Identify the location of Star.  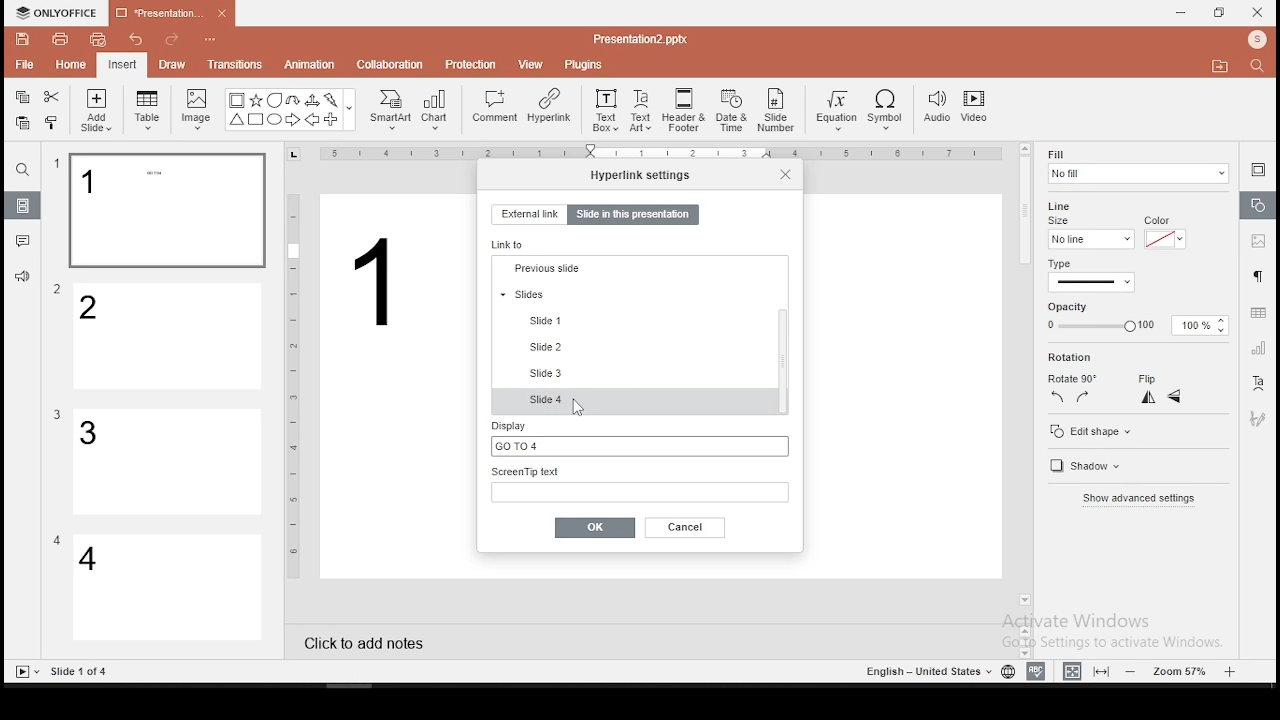
(255, 100).